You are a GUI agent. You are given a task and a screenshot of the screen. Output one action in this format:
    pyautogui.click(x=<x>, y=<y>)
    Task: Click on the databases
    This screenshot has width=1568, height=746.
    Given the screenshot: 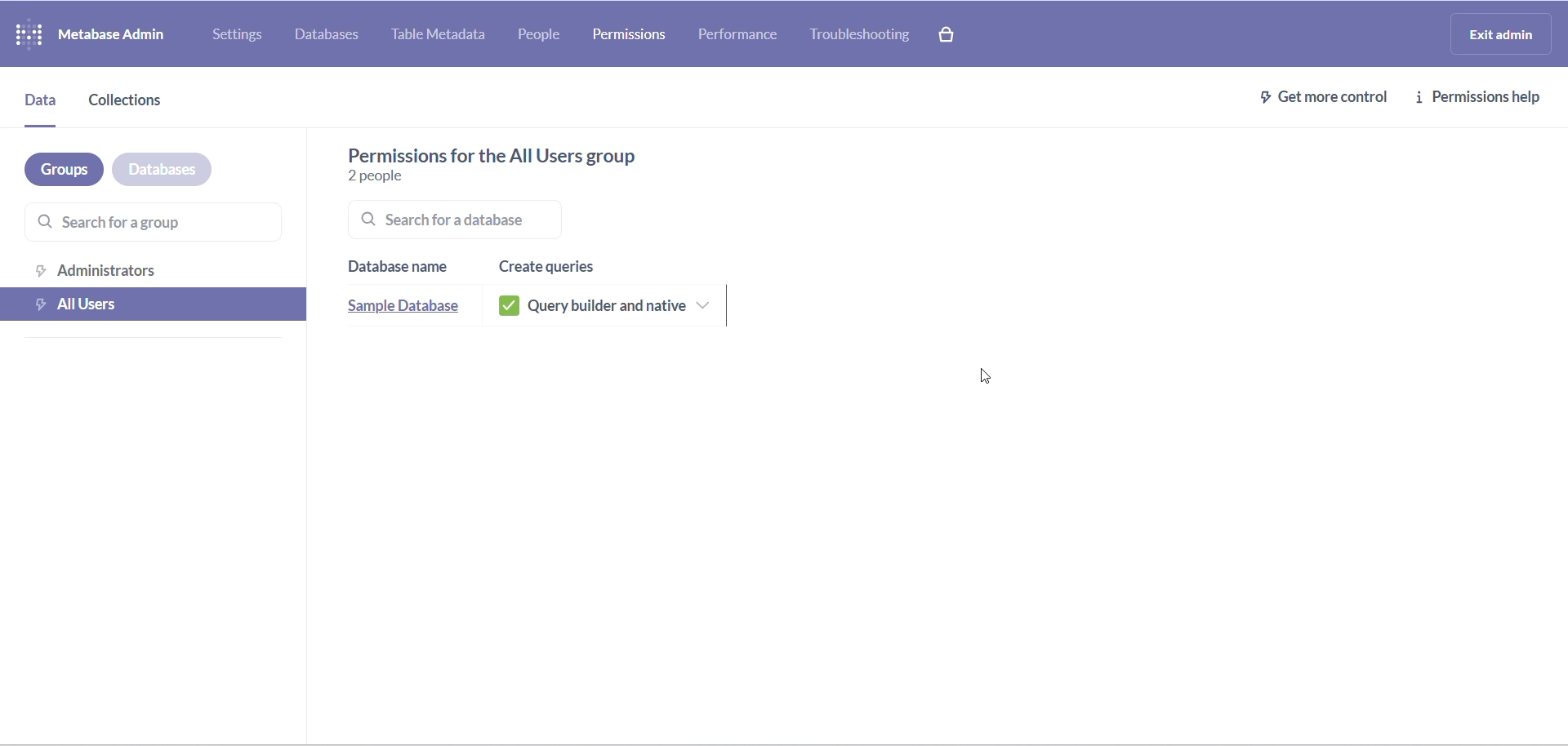 What is the action you would take?
    pyautogui.click(x=331, y=37)
    